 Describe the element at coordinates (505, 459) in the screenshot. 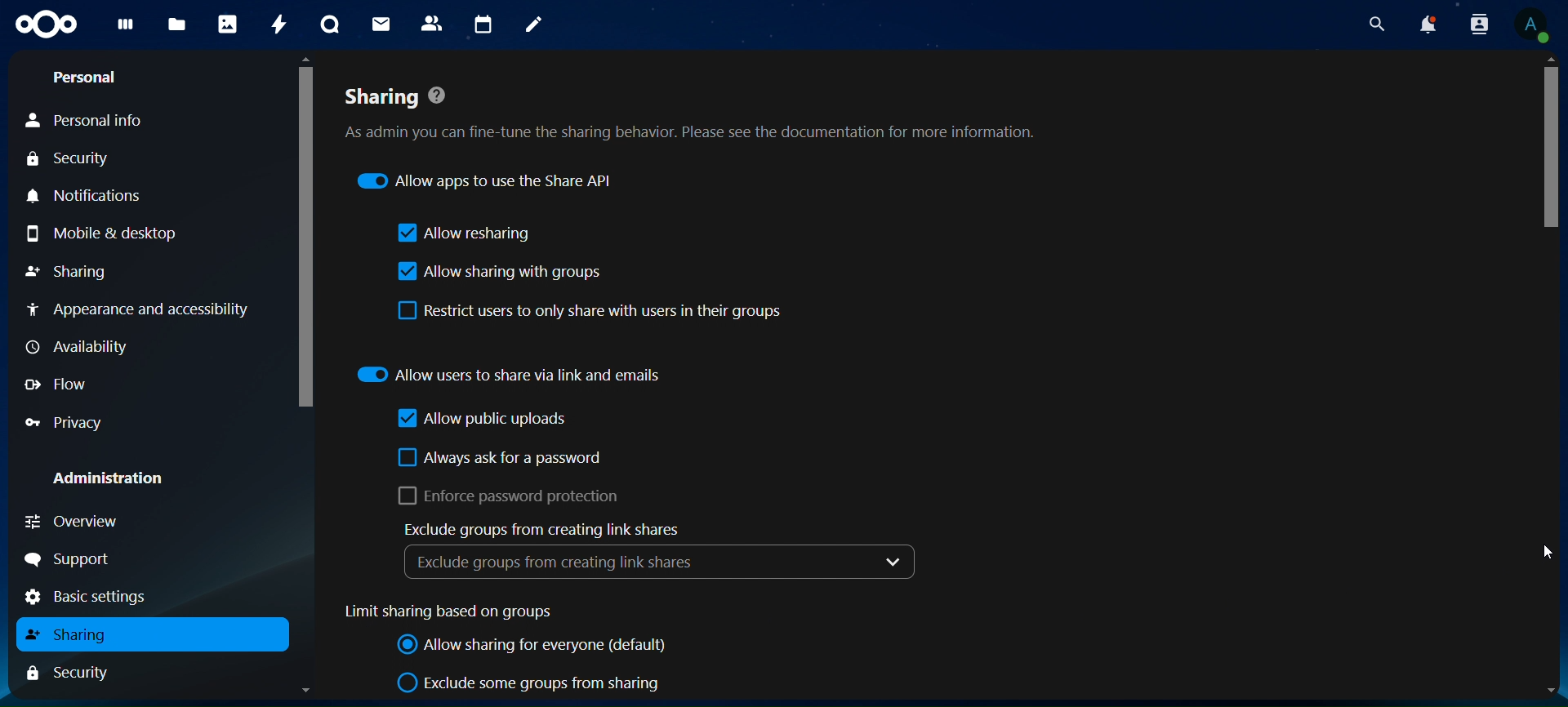

I see `always ask for a payment` at that location.